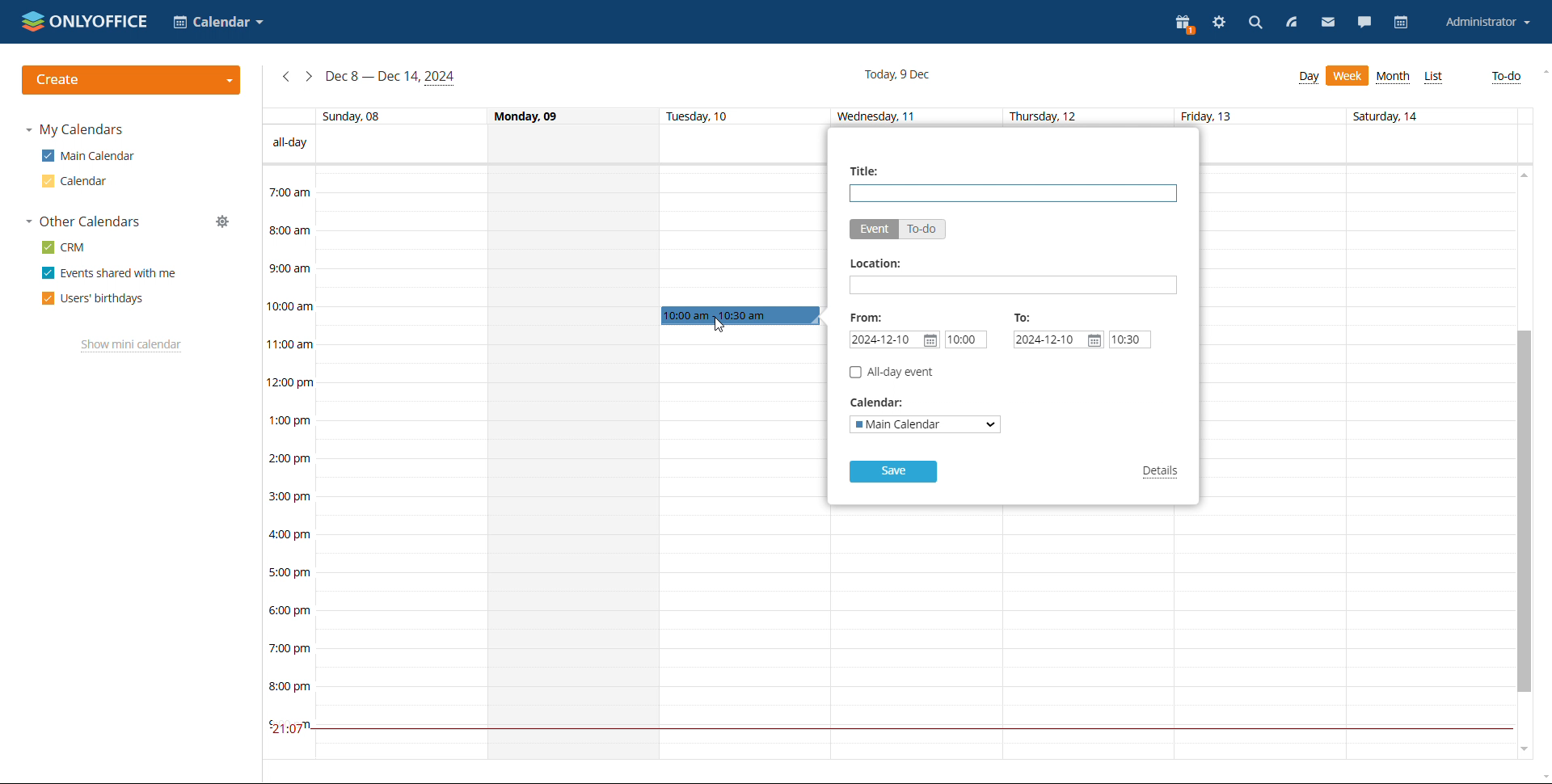 The image size is (1552, 784). I want to click on Title:, so click(868, 171).